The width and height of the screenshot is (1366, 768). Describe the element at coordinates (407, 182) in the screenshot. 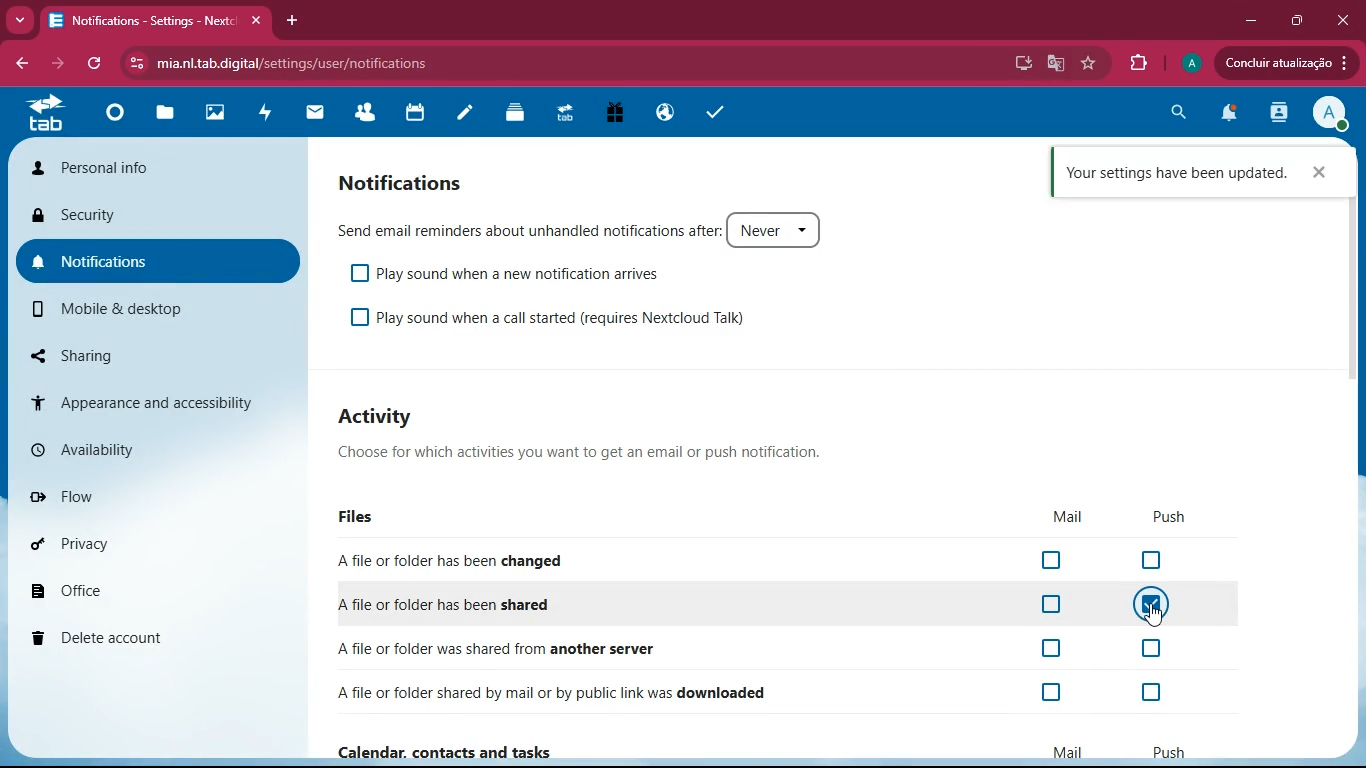

I see `notifications` at that location.